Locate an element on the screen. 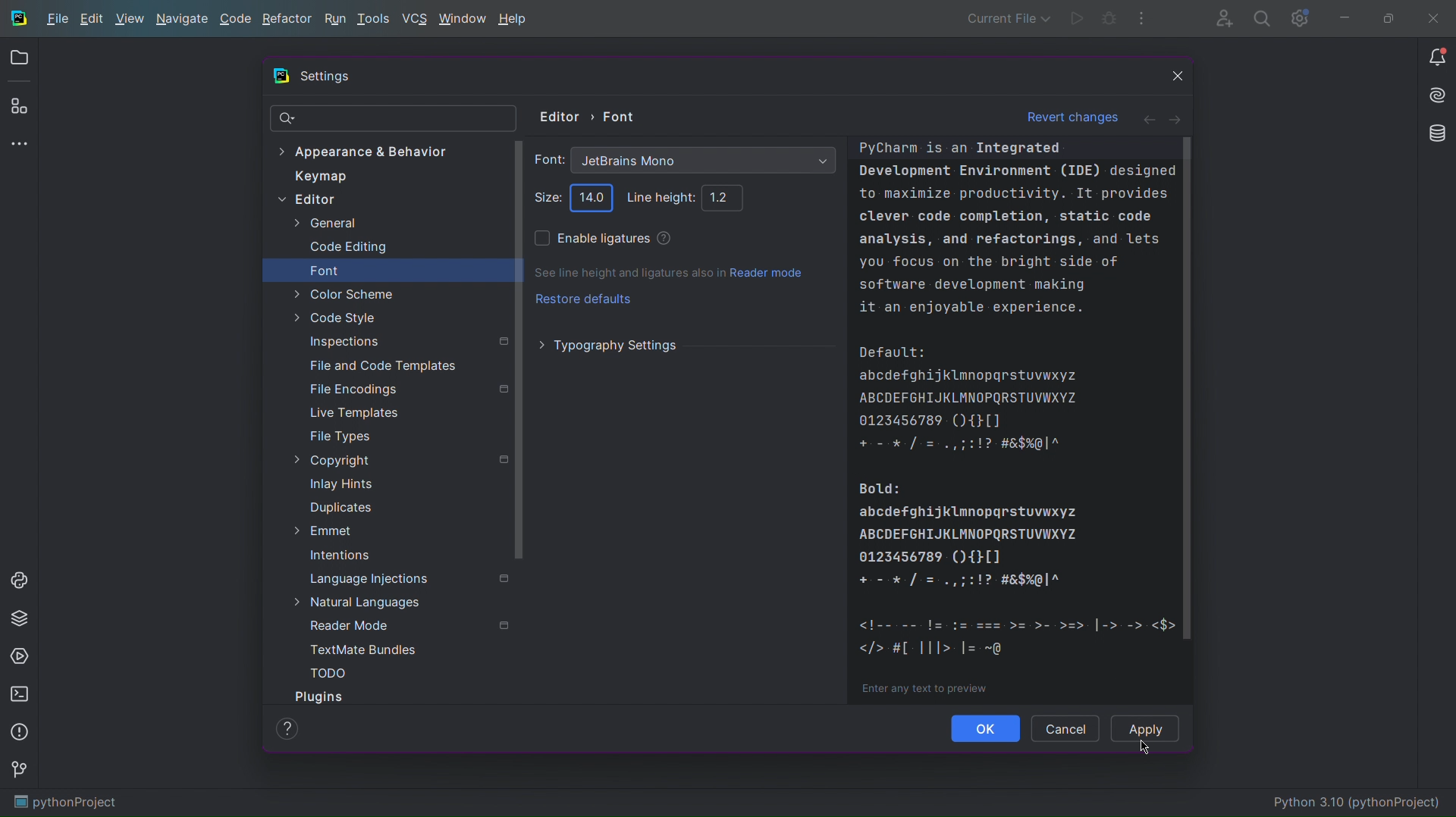 Image resolution: width=1456 pixels, height=817 pixels. Font is located at coordinates (706, 161).